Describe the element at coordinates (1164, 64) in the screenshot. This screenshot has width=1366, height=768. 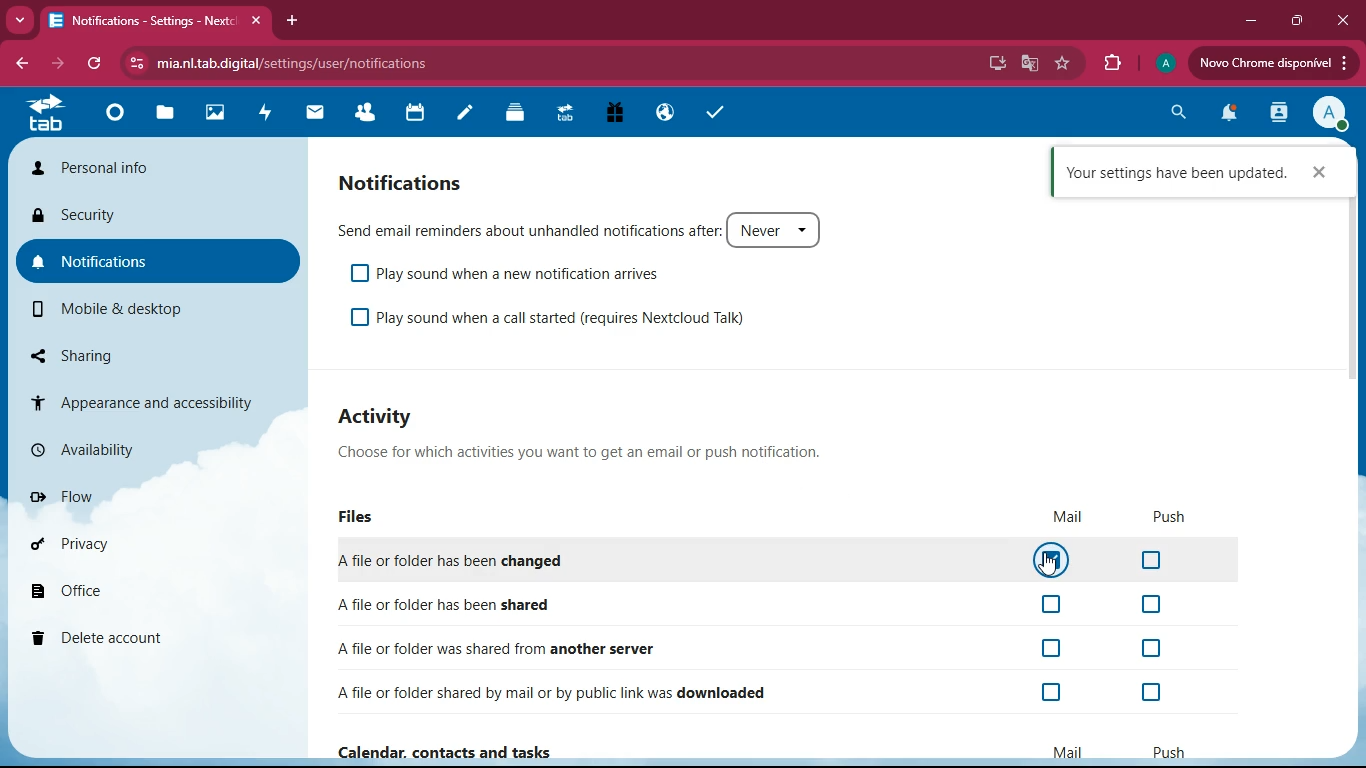
I see `profile` at that location.